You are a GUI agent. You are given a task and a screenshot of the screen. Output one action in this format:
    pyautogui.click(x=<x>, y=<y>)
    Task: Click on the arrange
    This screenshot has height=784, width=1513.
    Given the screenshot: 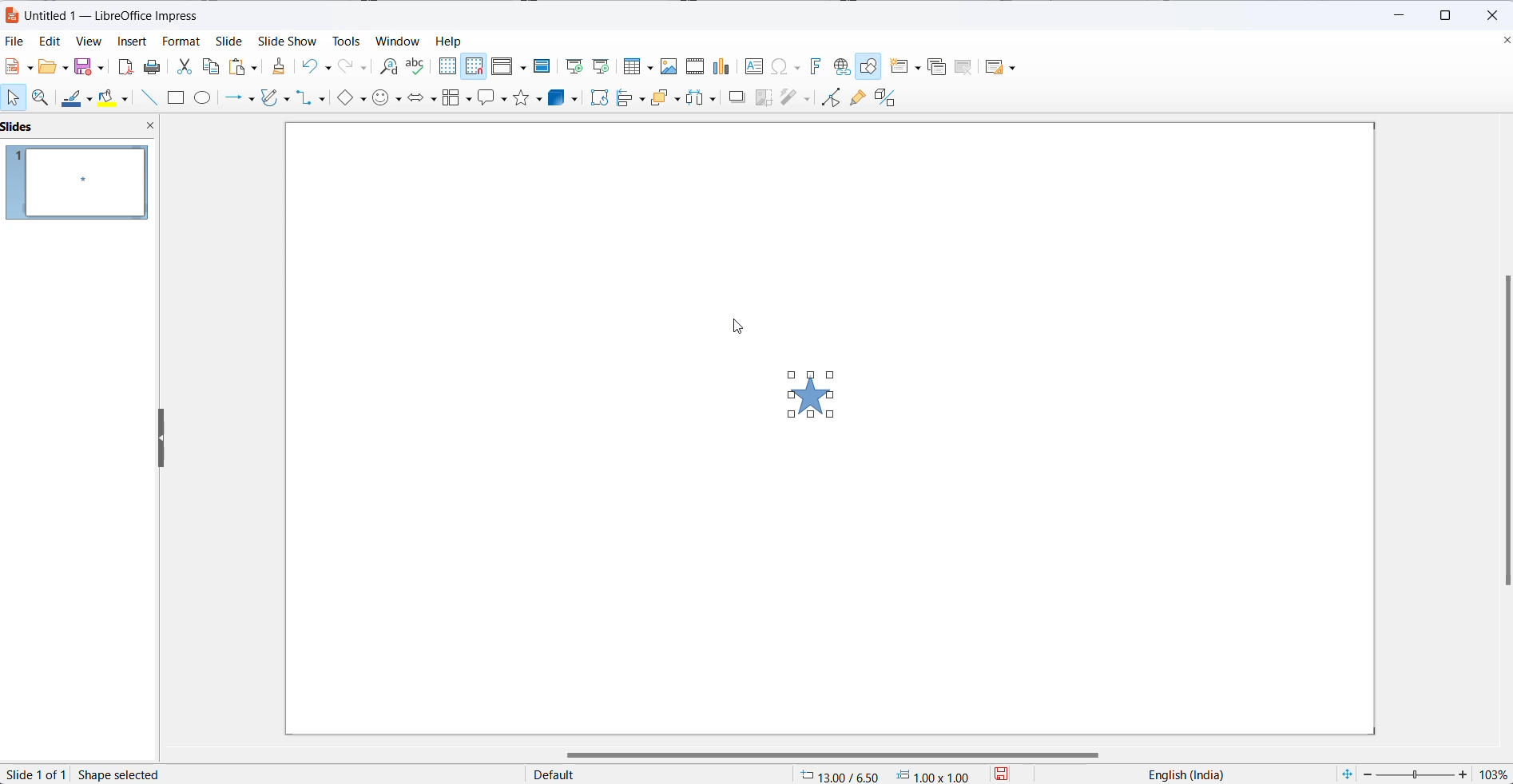 What is the action you would take?
    pyautogui.click(x=665, y=98)
    